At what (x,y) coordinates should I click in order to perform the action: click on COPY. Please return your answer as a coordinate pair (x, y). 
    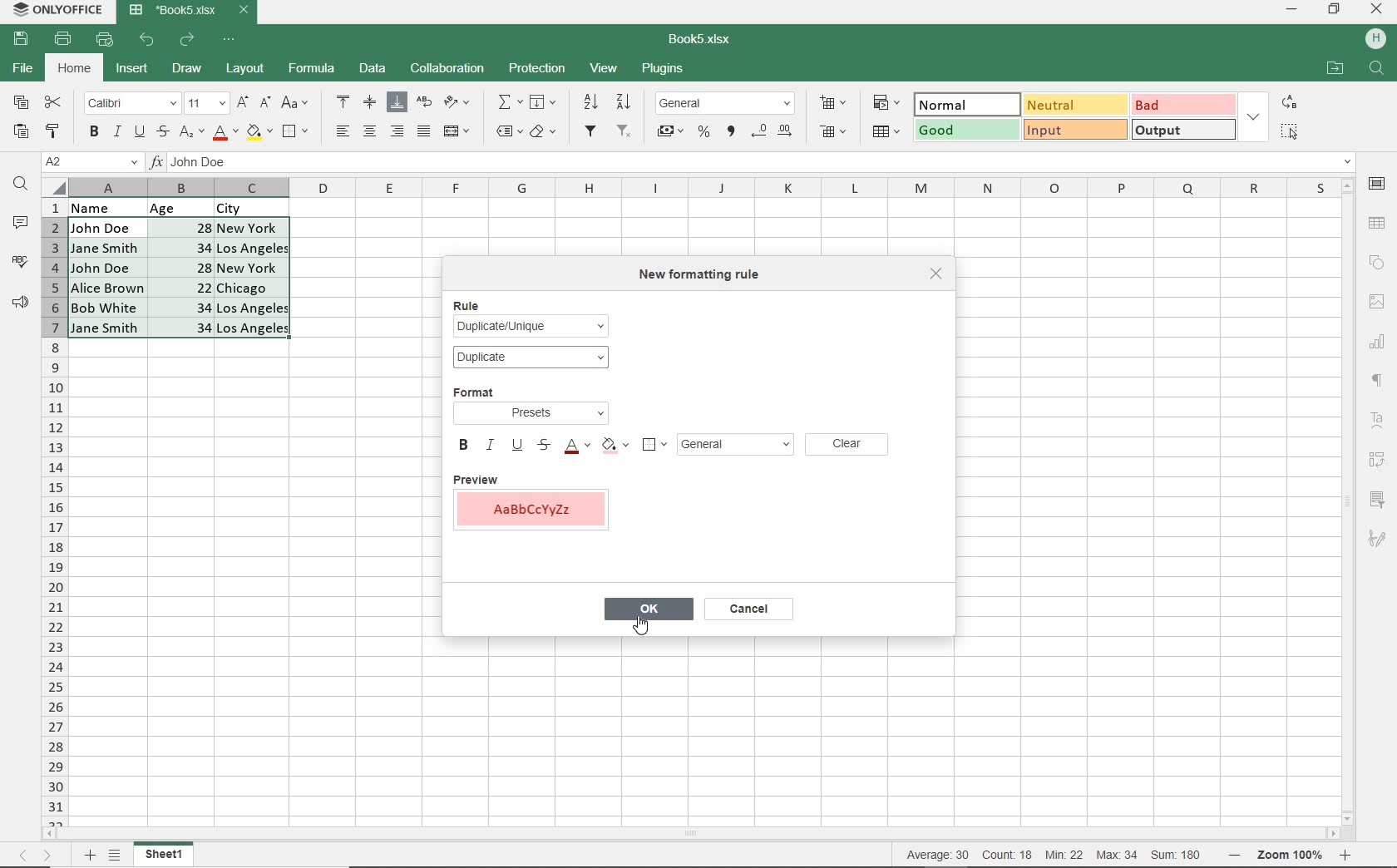
    Looking at the image, I should click on (22, 103).